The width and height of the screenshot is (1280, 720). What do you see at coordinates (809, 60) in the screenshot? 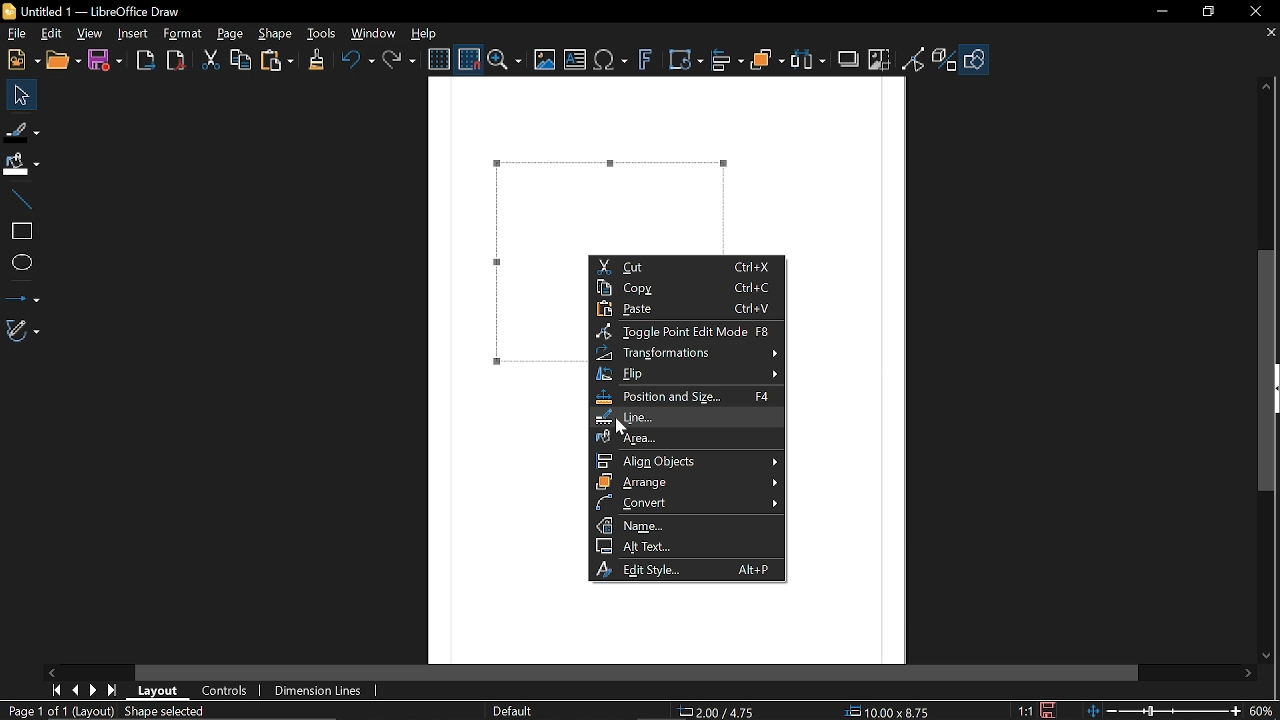
I see `Select at least three objects to distribute` at bounding box center [809, 60].